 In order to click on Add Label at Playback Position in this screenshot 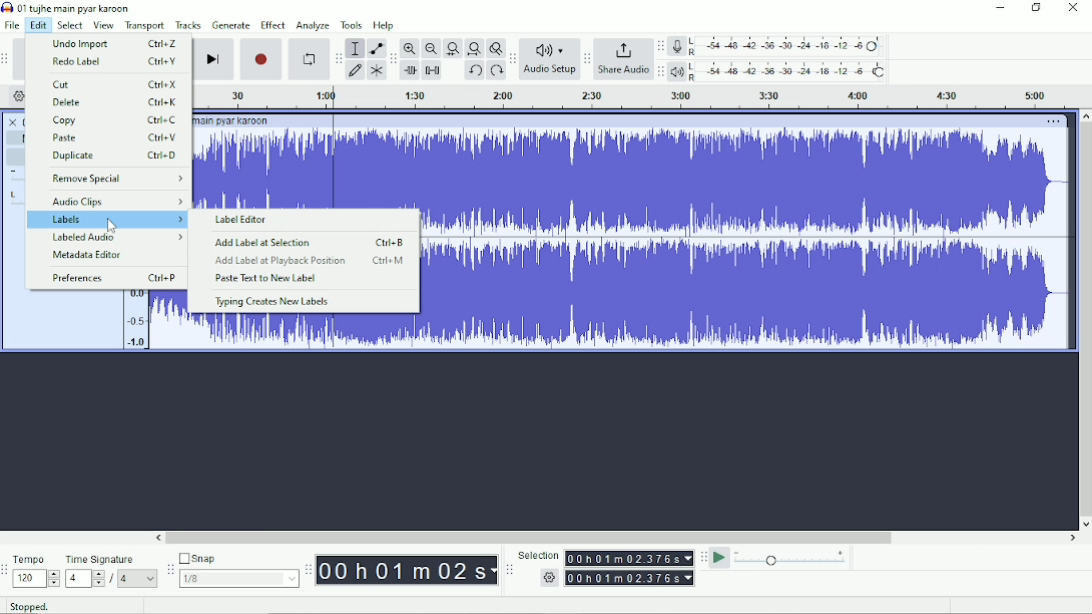, I will do `click(310, 261)`.